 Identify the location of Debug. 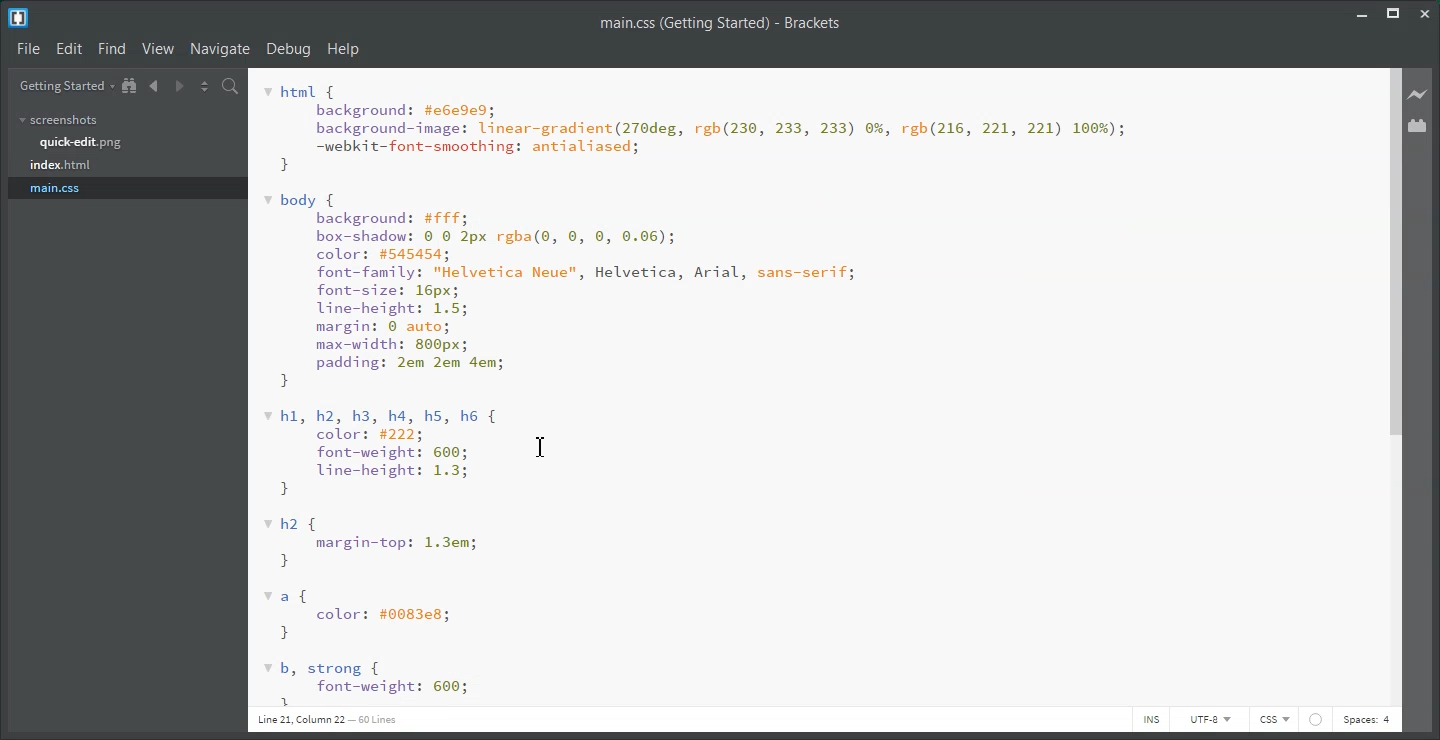
(288, 49).